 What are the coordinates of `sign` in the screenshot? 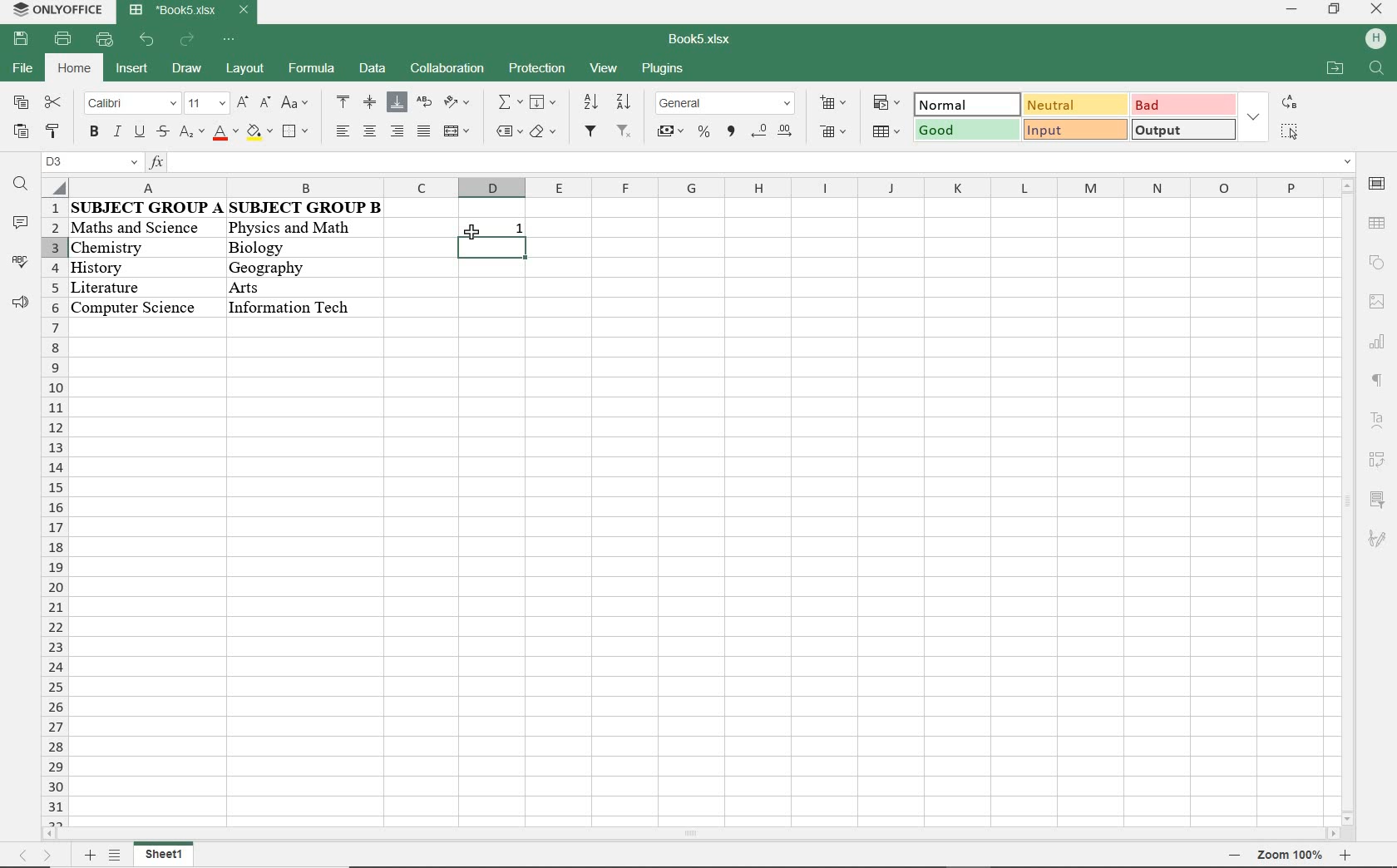 It's located at (1381, 502).